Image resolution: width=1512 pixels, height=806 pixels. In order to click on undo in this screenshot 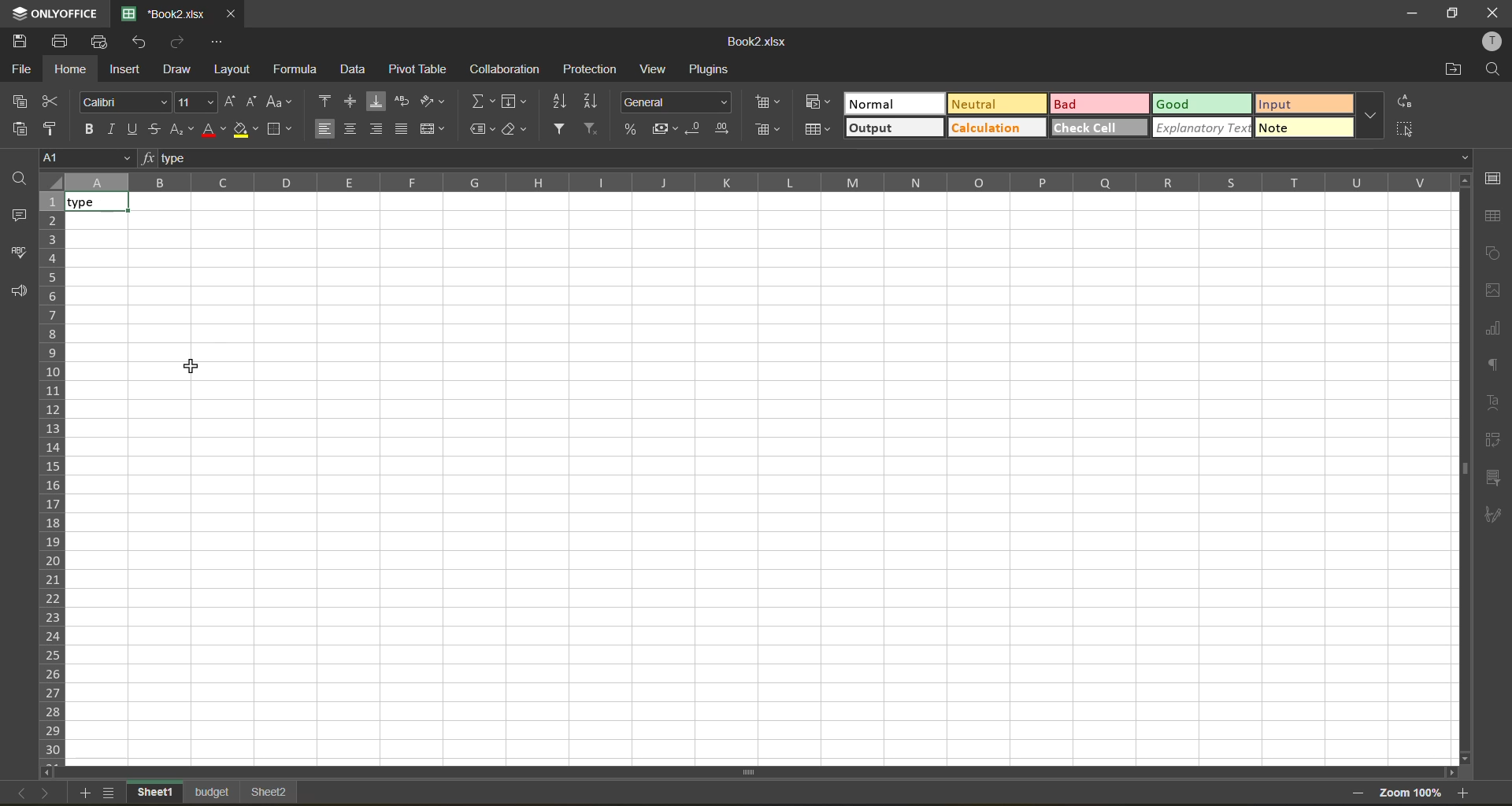, I will do `click(141, 42)`.